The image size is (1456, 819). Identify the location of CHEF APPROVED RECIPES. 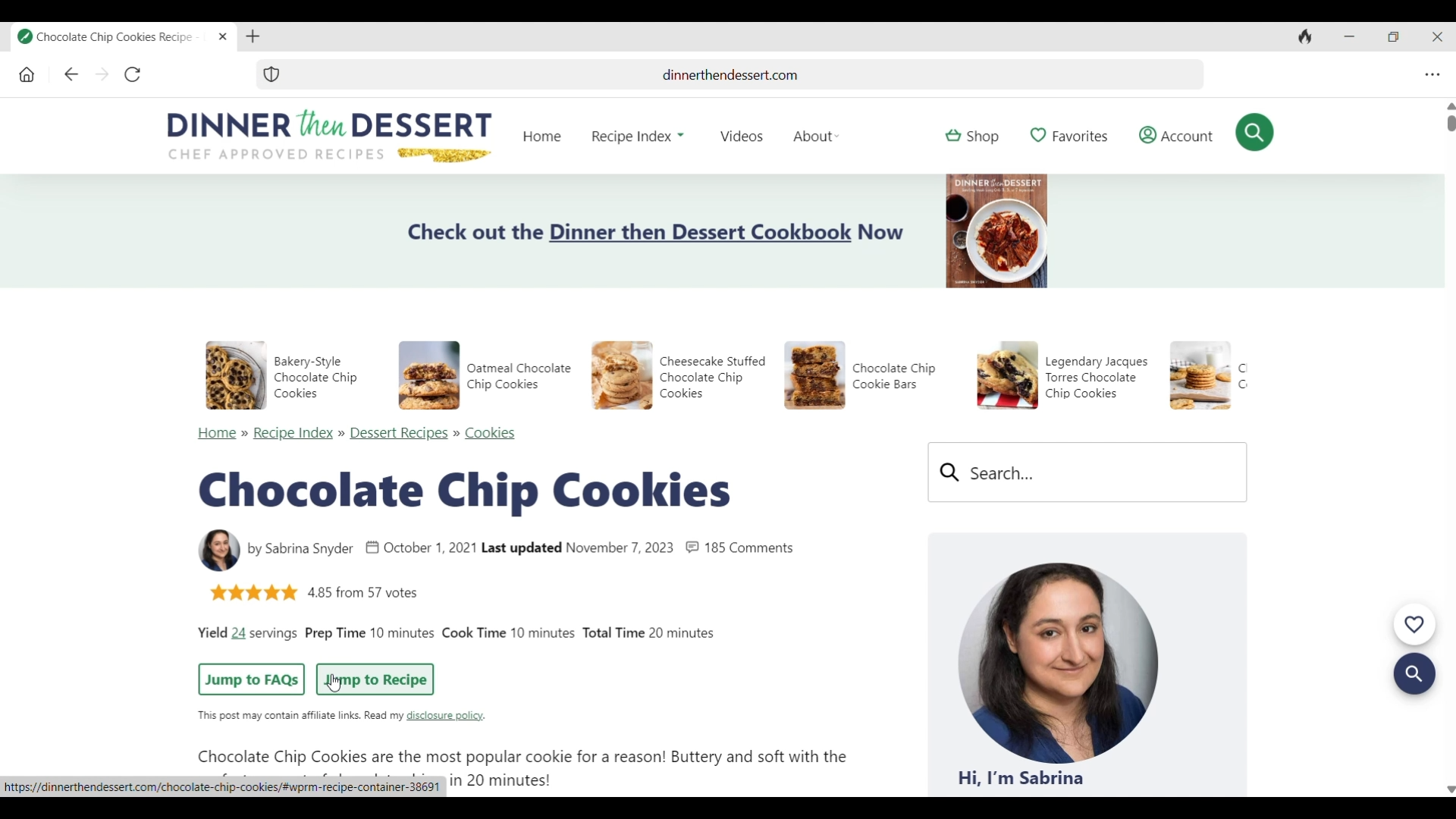
(276, 154).